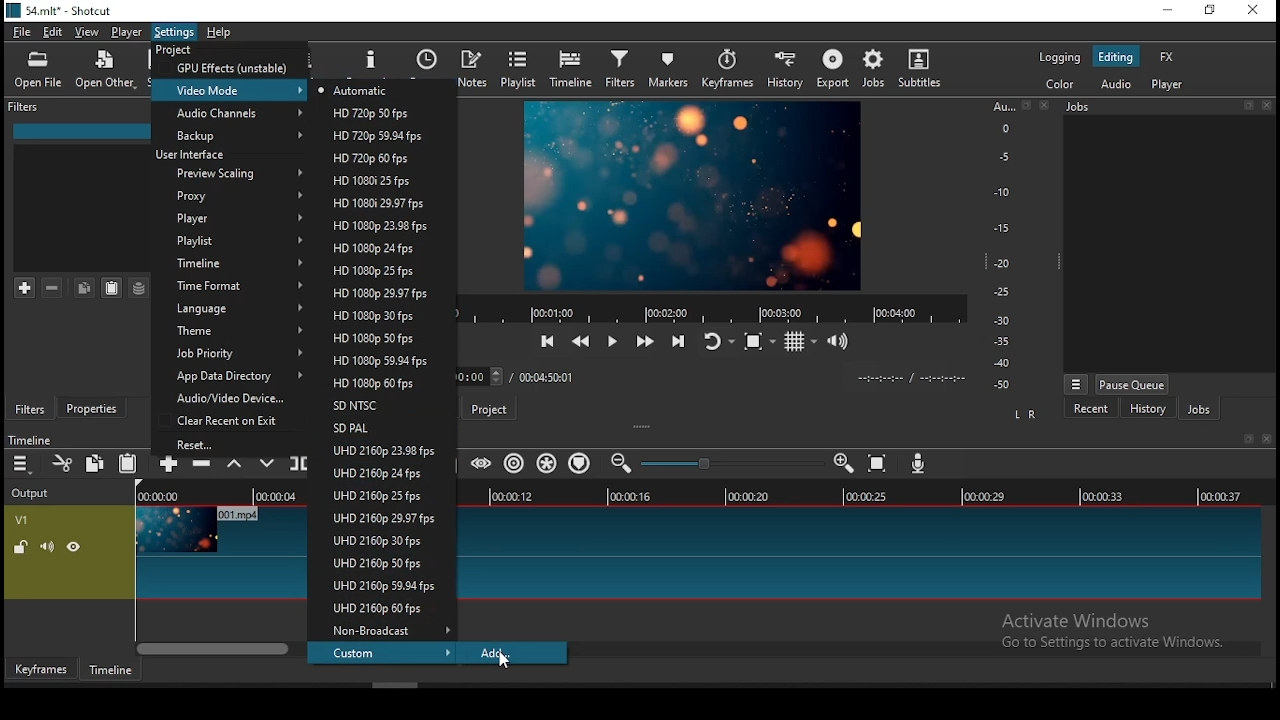  I want to click on play/pause, so click(612, 342).